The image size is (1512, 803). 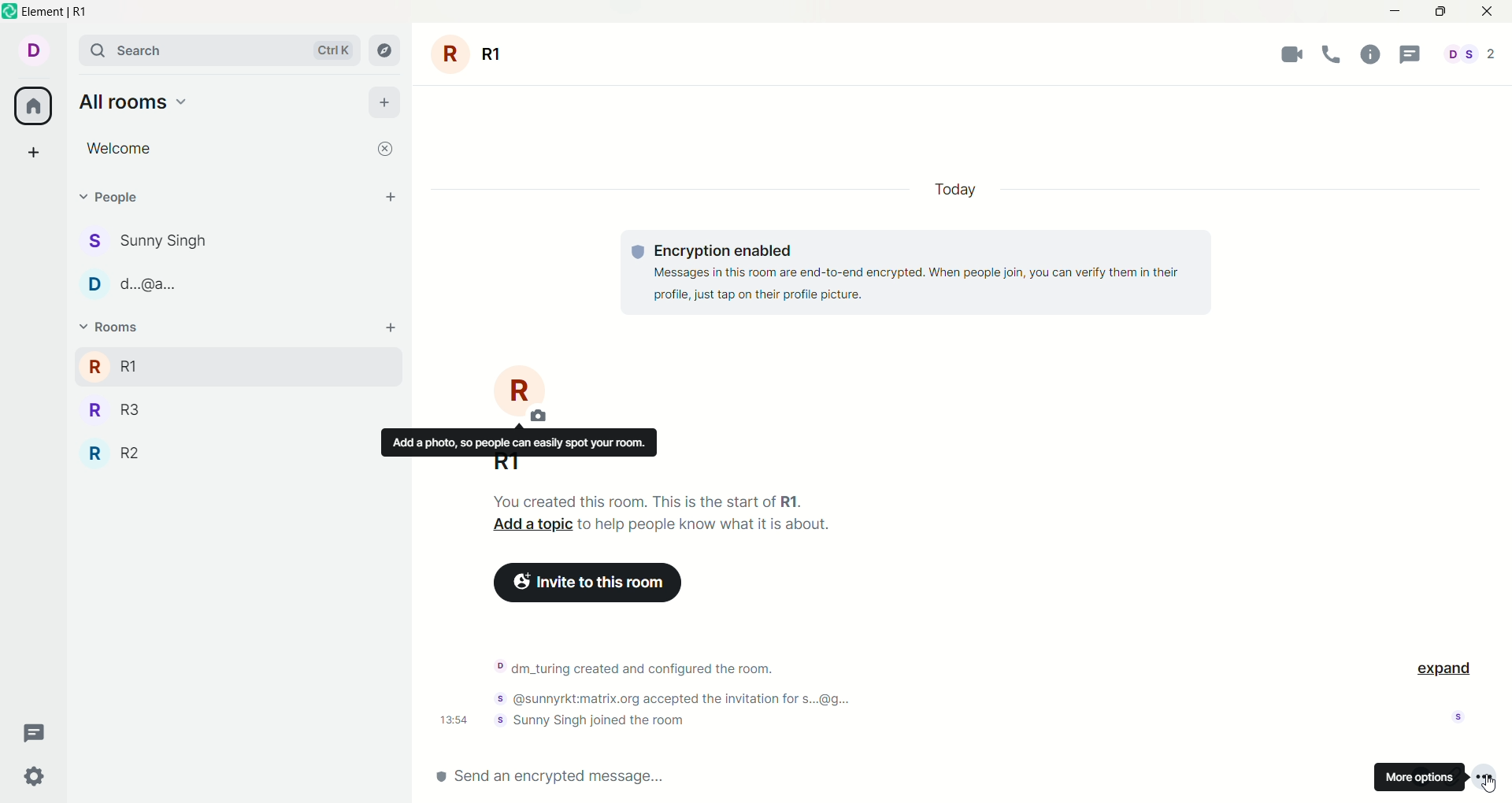 I want to click on create a space, so click(x=34, y=152).